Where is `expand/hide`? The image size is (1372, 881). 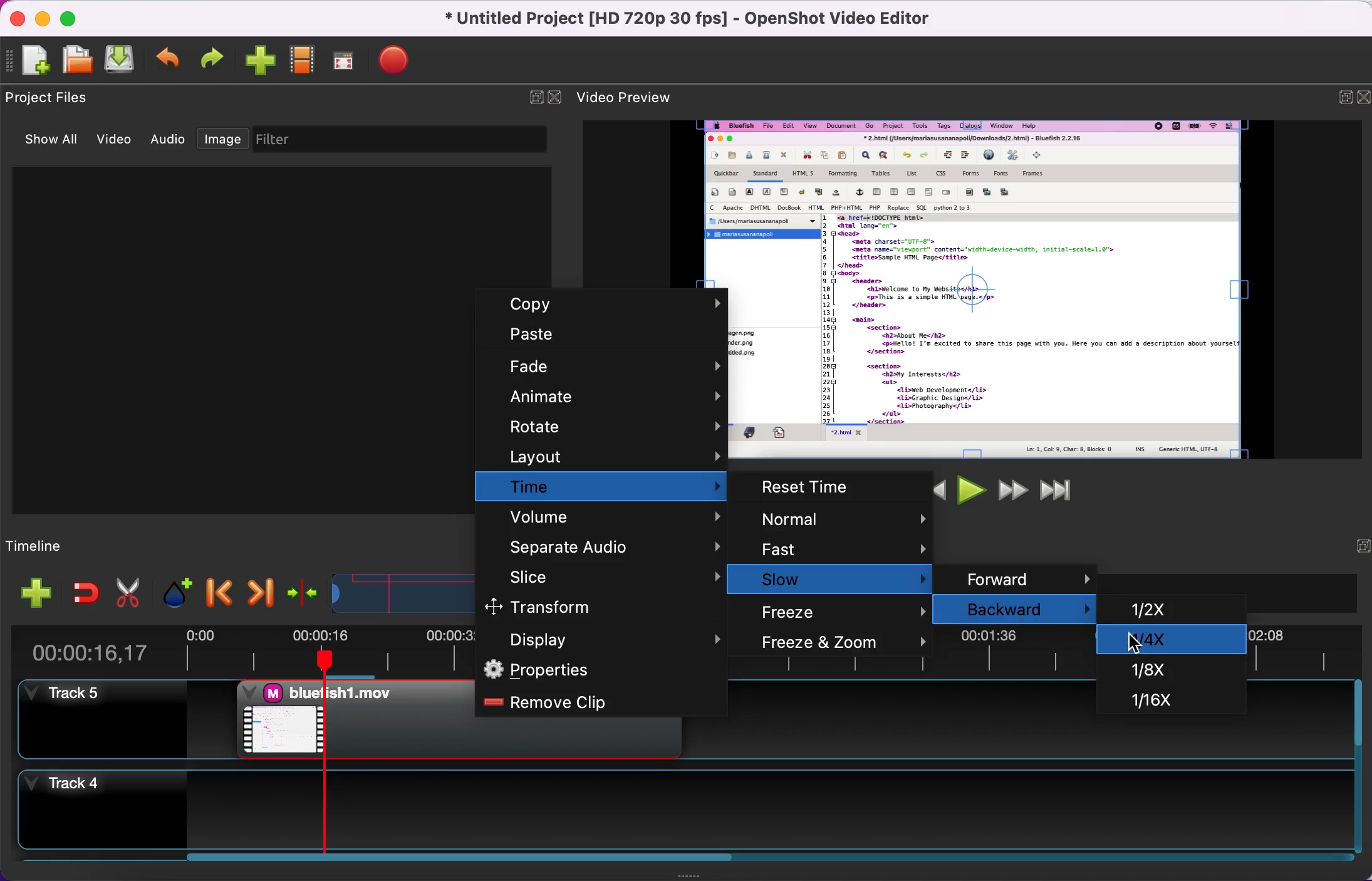 expand/hide is located at coordinates (1338, 96).